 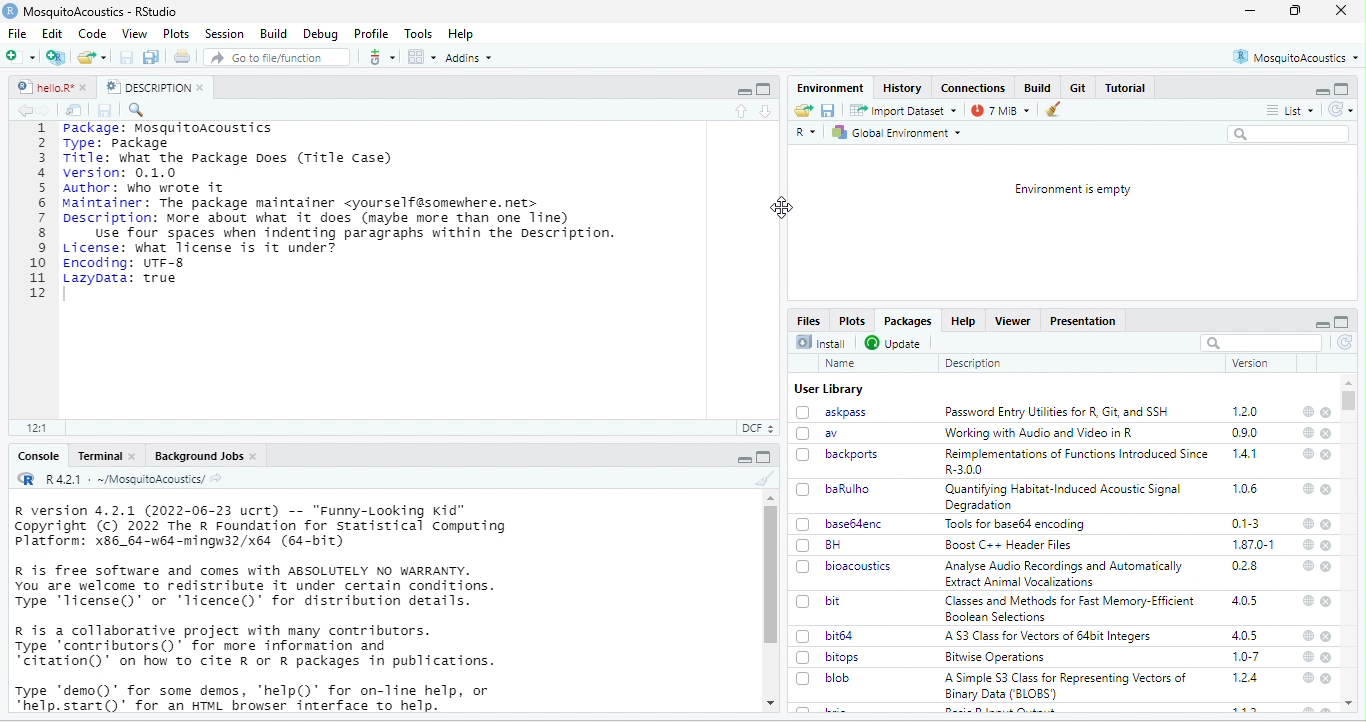 What do you see at coordinates (911, 322) in the screenshot?
I see `Packages` at bounding box center [911, 322].